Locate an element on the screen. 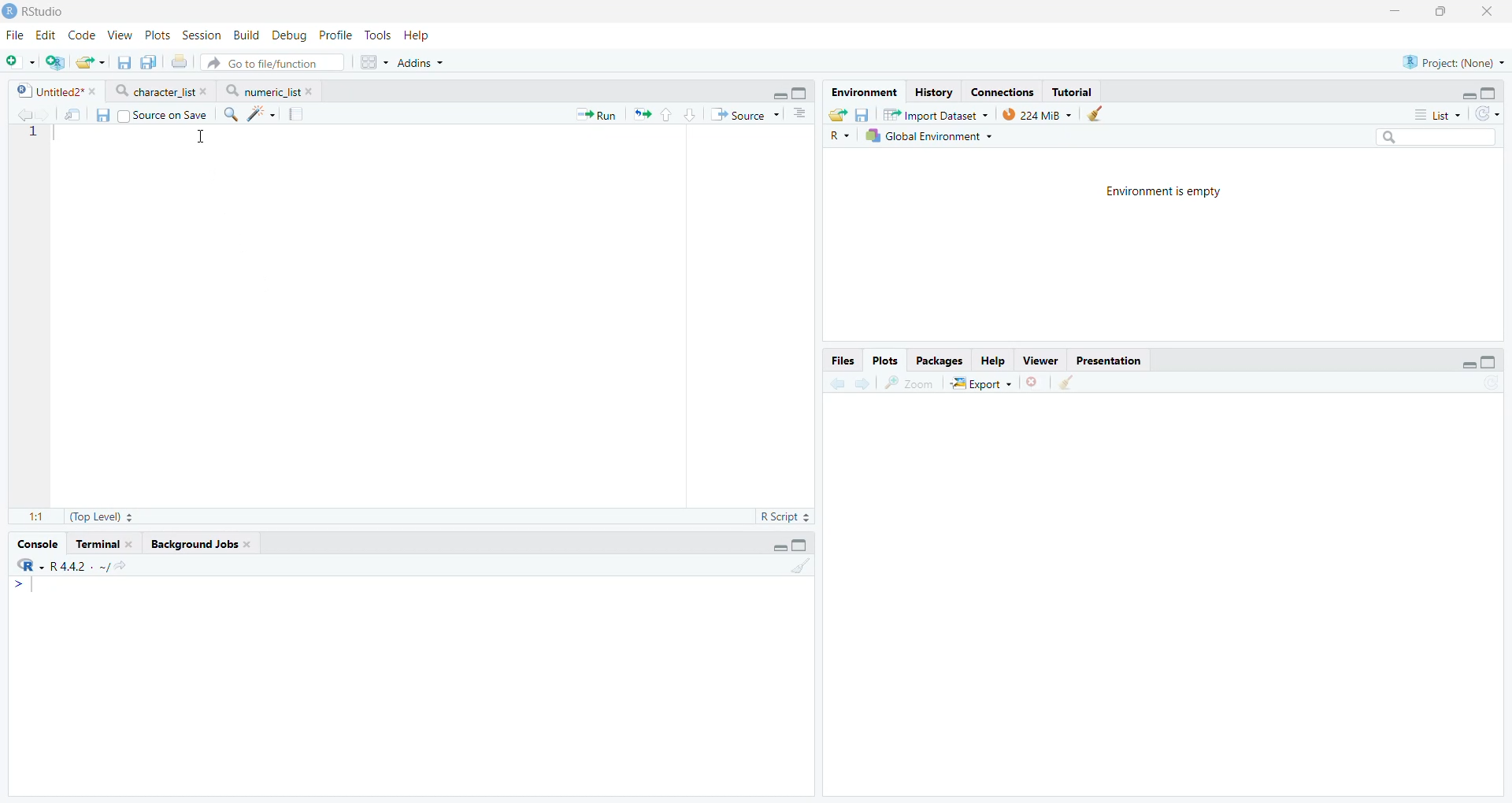 The image size is (1512, 803). Clear is located at coordinates (802, 567).